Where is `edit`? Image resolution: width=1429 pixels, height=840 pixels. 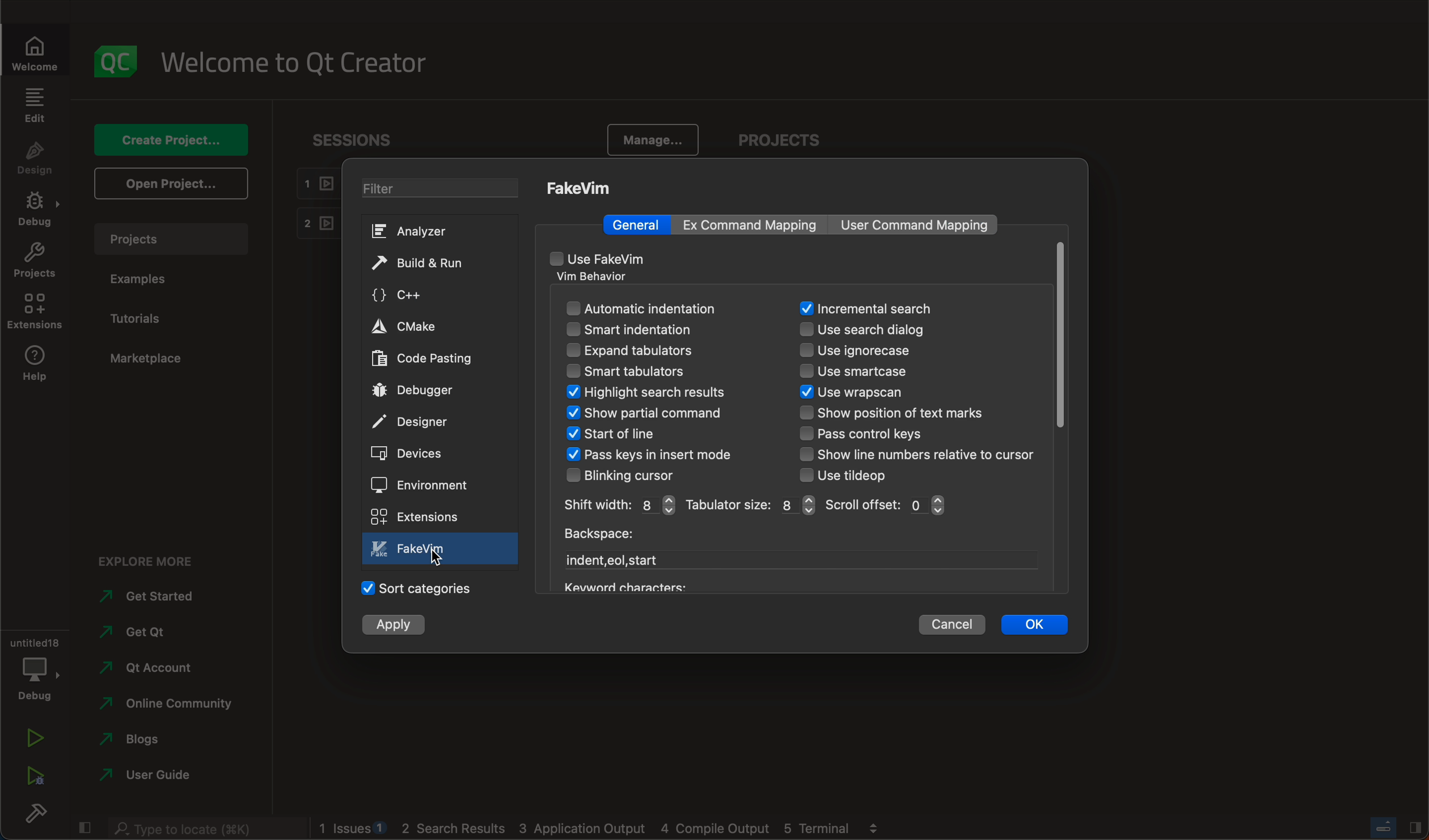 edit is located at coordinates (36, 105).